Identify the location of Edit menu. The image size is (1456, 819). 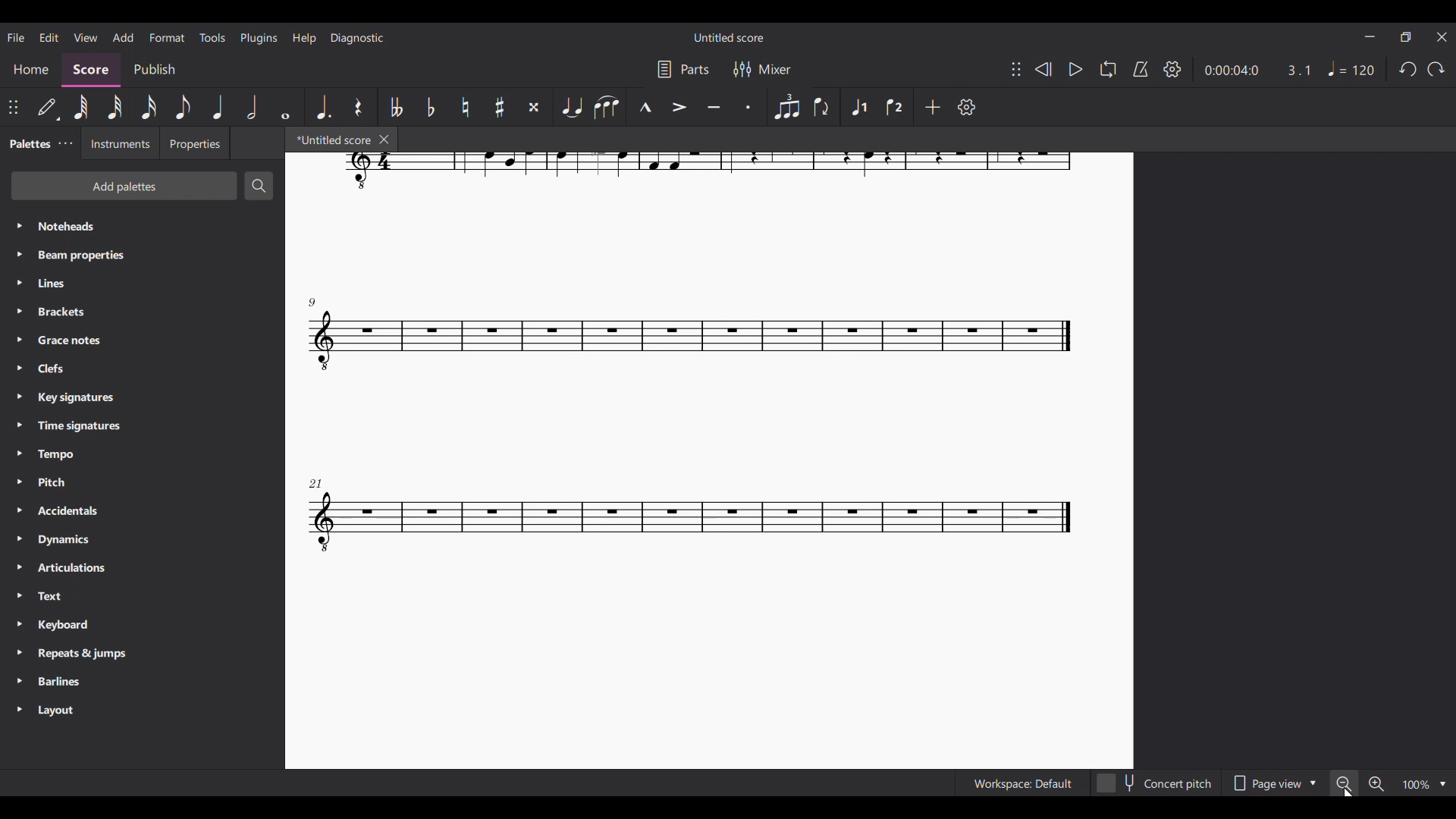
(49, 37).